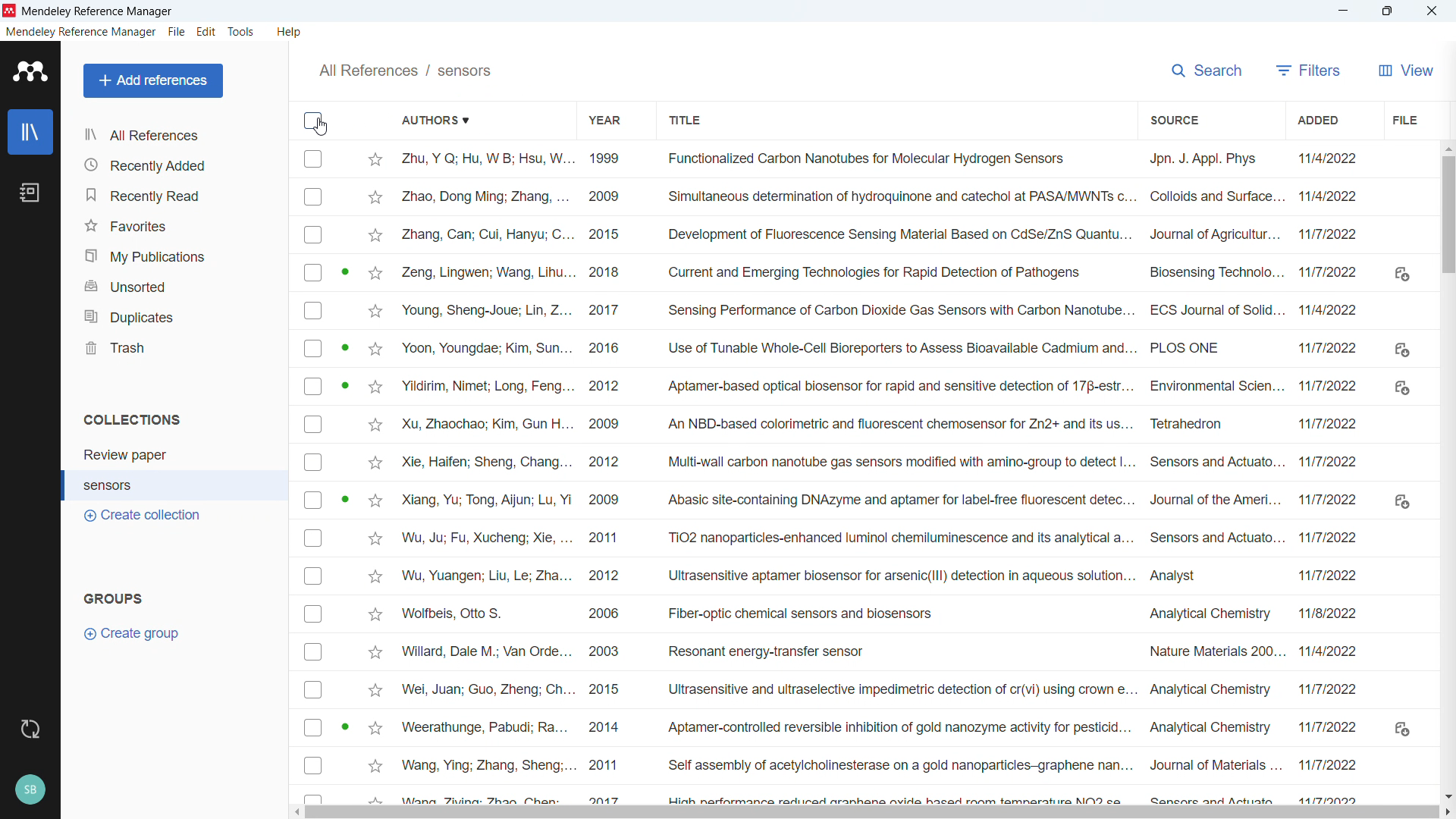  Describe the element at coordinates (312, 475) in the screenshot. I see `Select individual entries ` at that location.